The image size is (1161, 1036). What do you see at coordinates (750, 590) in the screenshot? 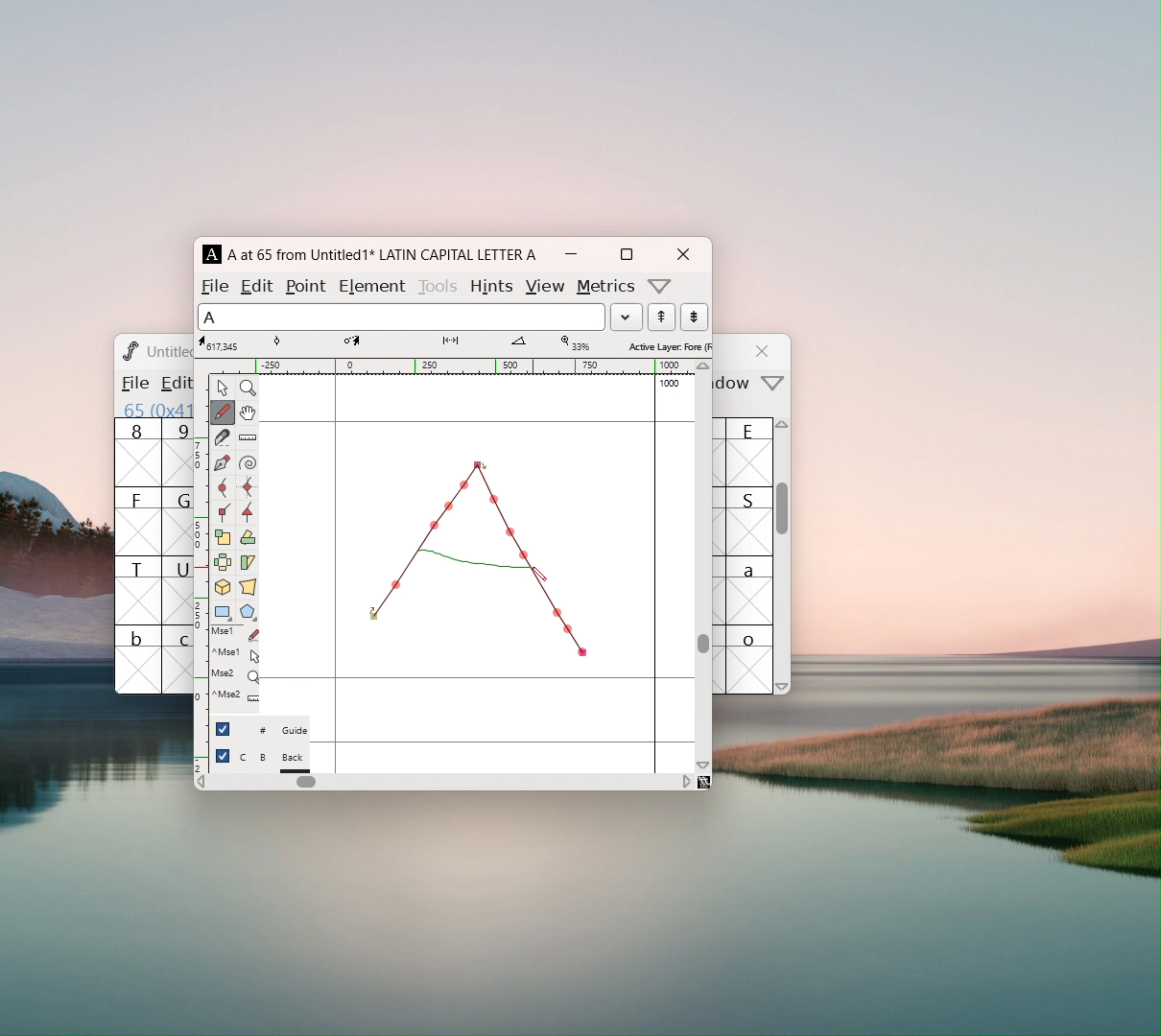
I see `a` at bounding box center [750, 590].